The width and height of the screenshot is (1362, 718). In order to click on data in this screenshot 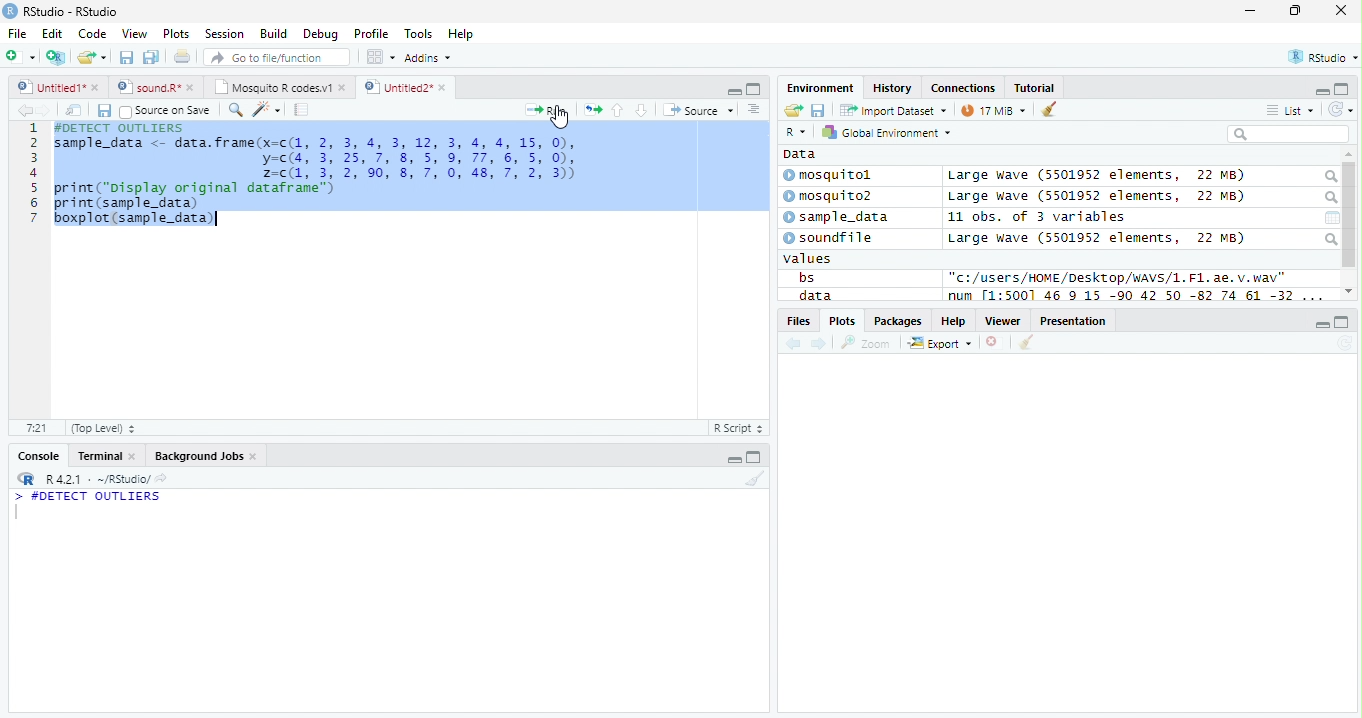, I will do `click(813, 295)`.